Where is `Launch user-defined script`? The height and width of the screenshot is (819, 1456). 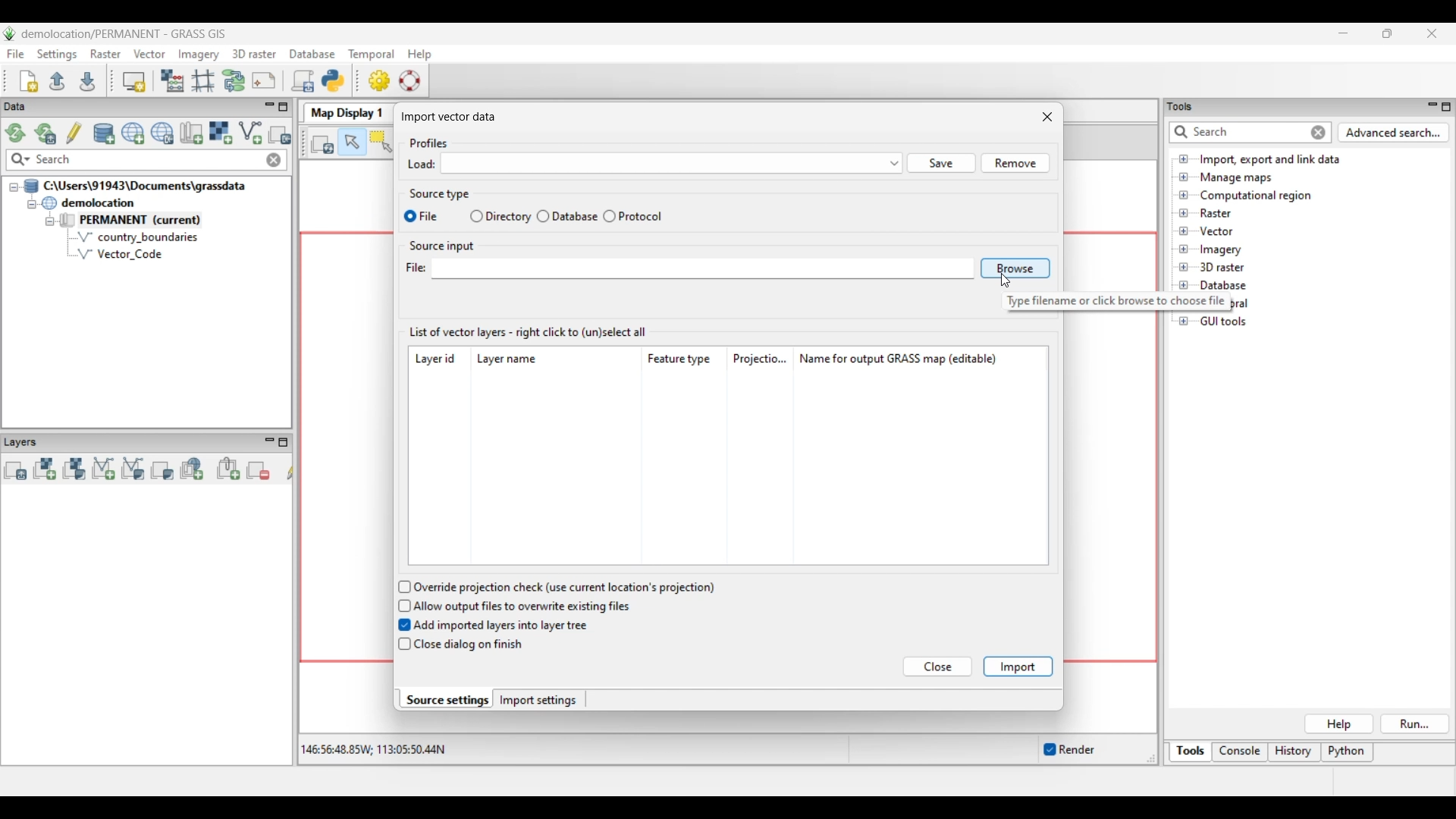 Launch user-defined script is located at coordinates (302, 80).